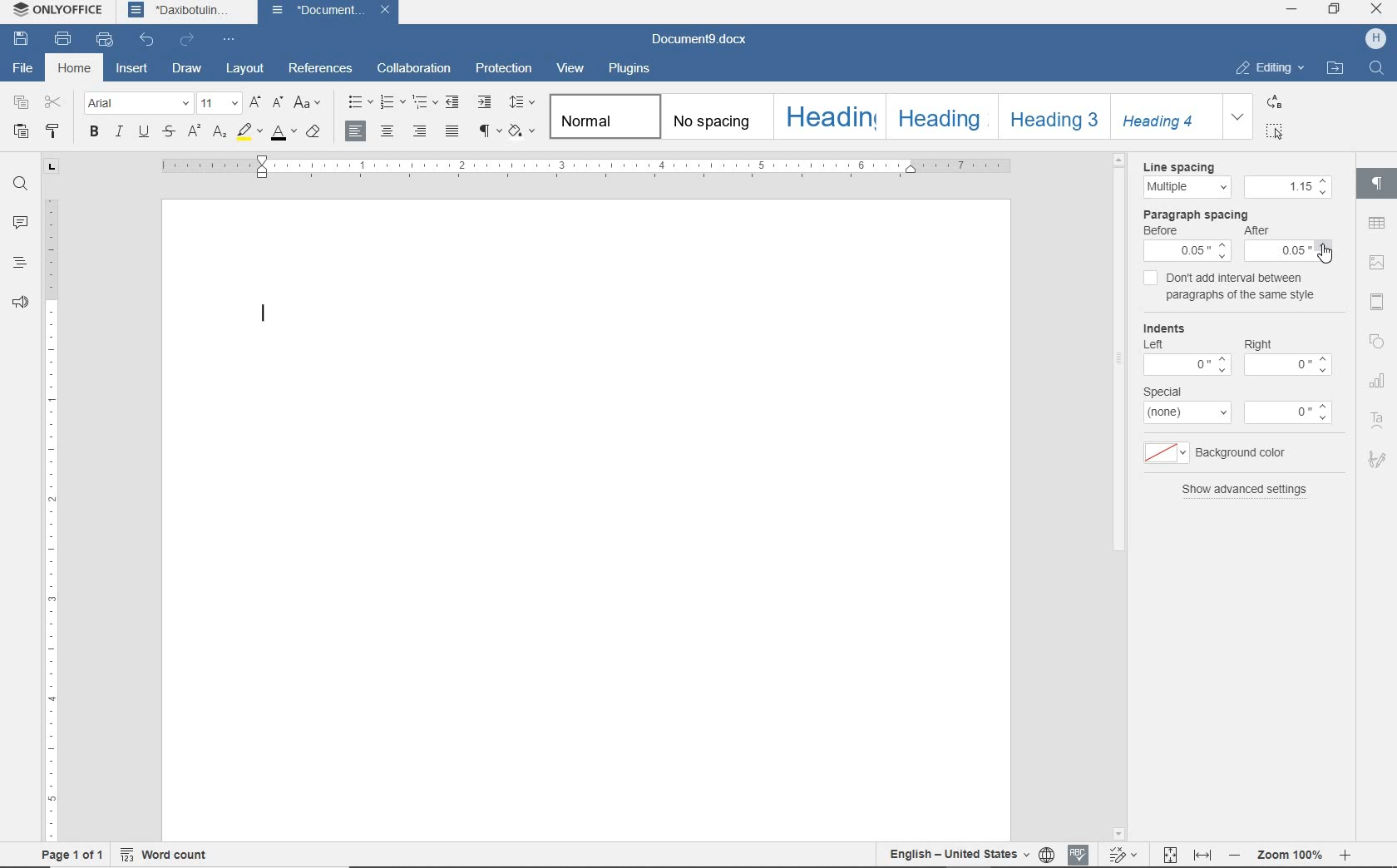 The image size is (1397, 868). Describe the element at coordinates (20, 103) in the screenshot. I see `copy` at that location.